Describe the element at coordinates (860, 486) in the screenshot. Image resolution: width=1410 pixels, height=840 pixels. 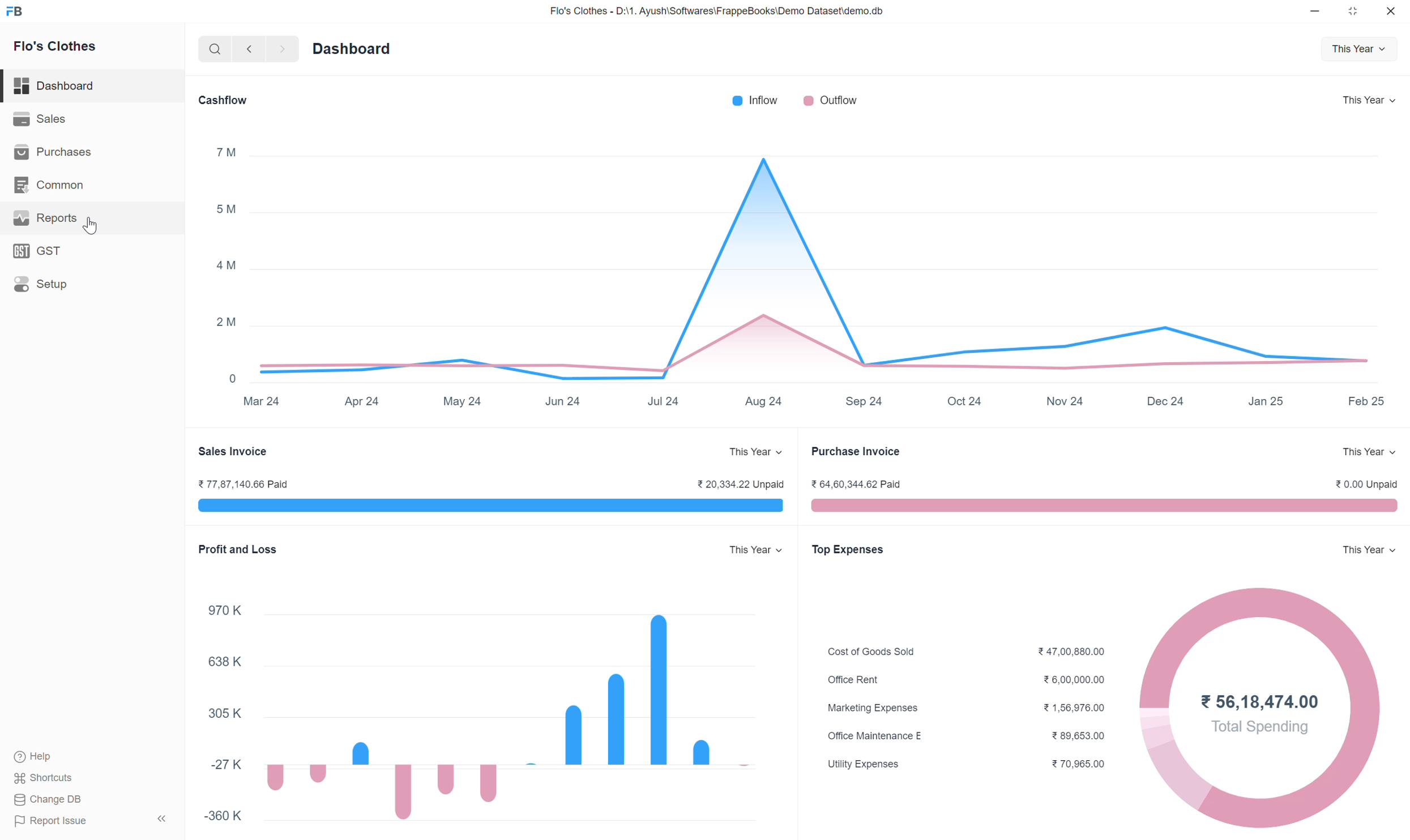
I see `¥64,60,344.62 Paid` at that location.